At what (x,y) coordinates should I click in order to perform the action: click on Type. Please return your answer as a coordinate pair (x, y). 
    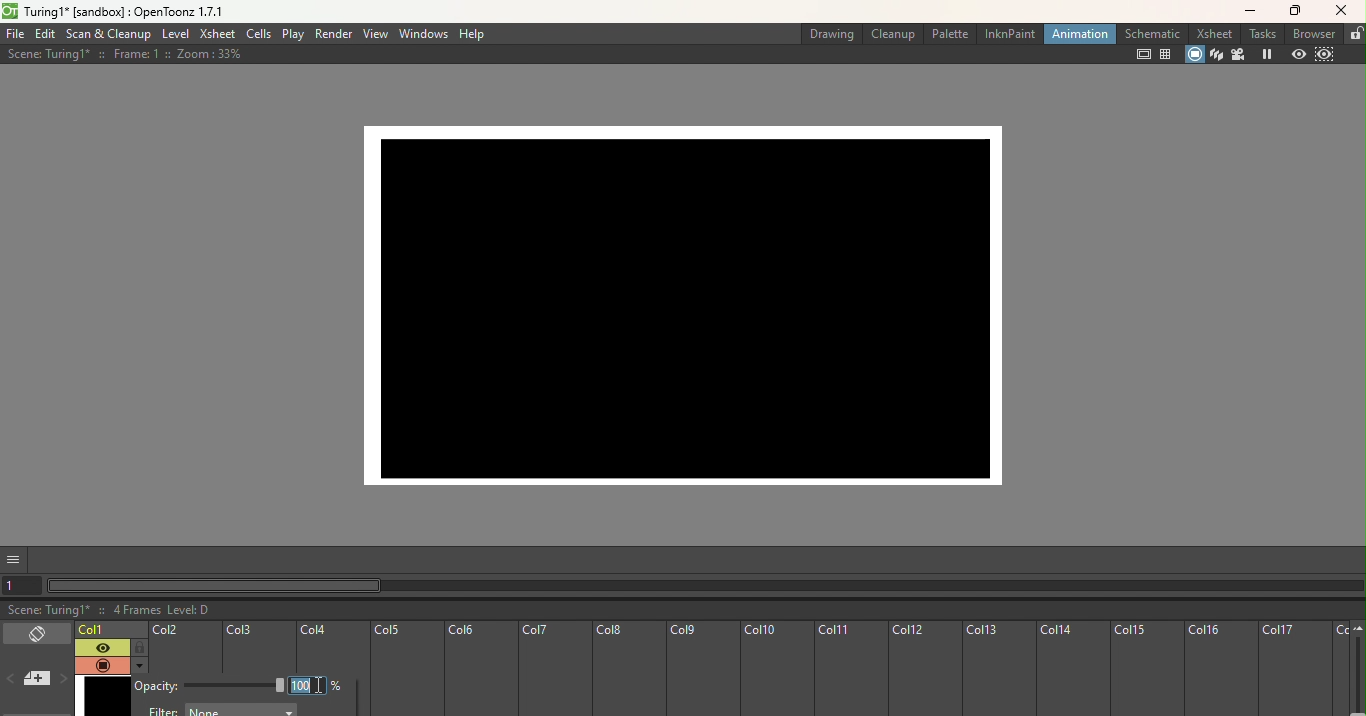
    Looking at the image, I should click on (307, 684).